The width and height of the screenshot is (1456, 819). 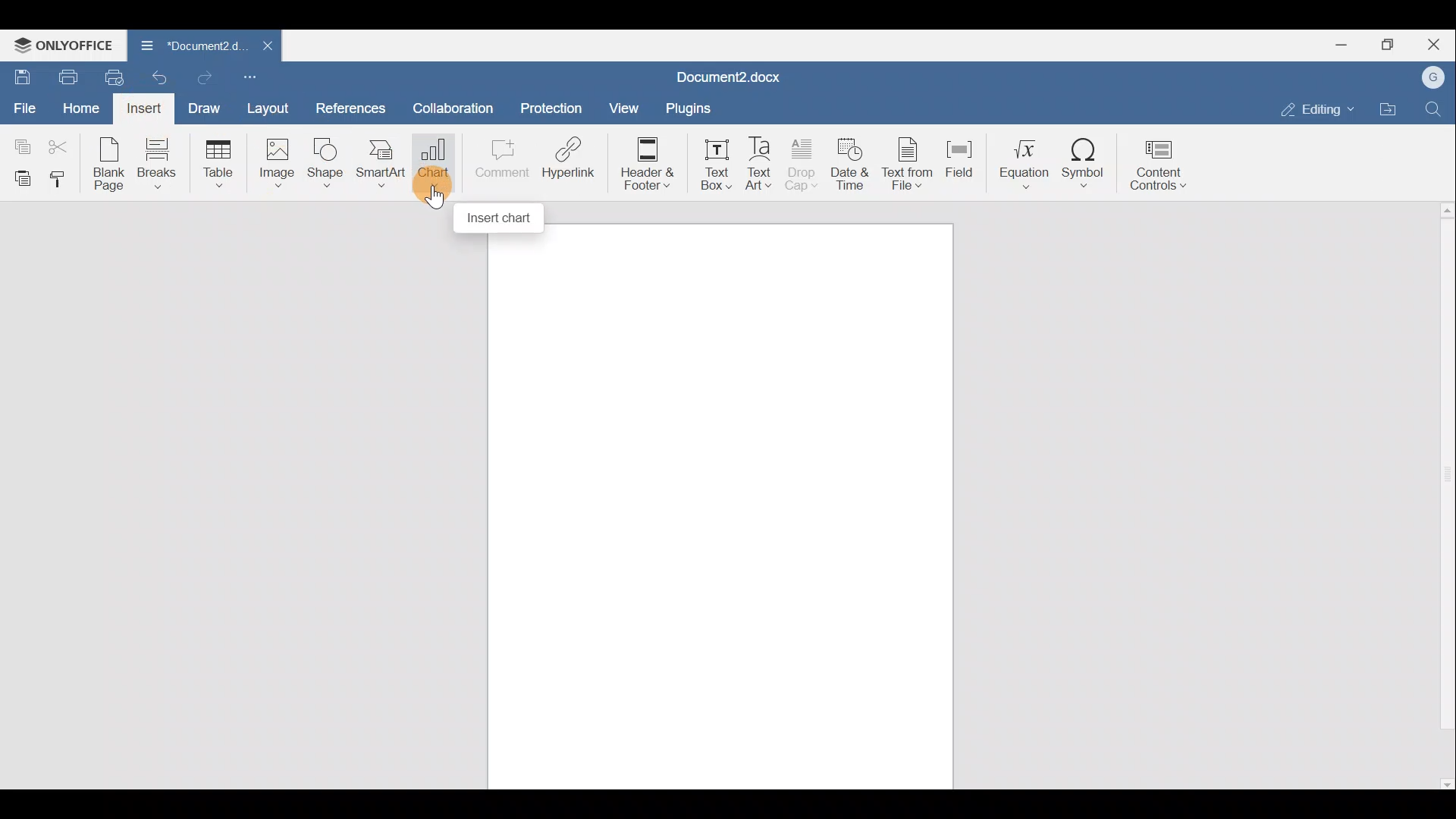 I want to click on Cursor on Chart, so click(x=433, y=162).